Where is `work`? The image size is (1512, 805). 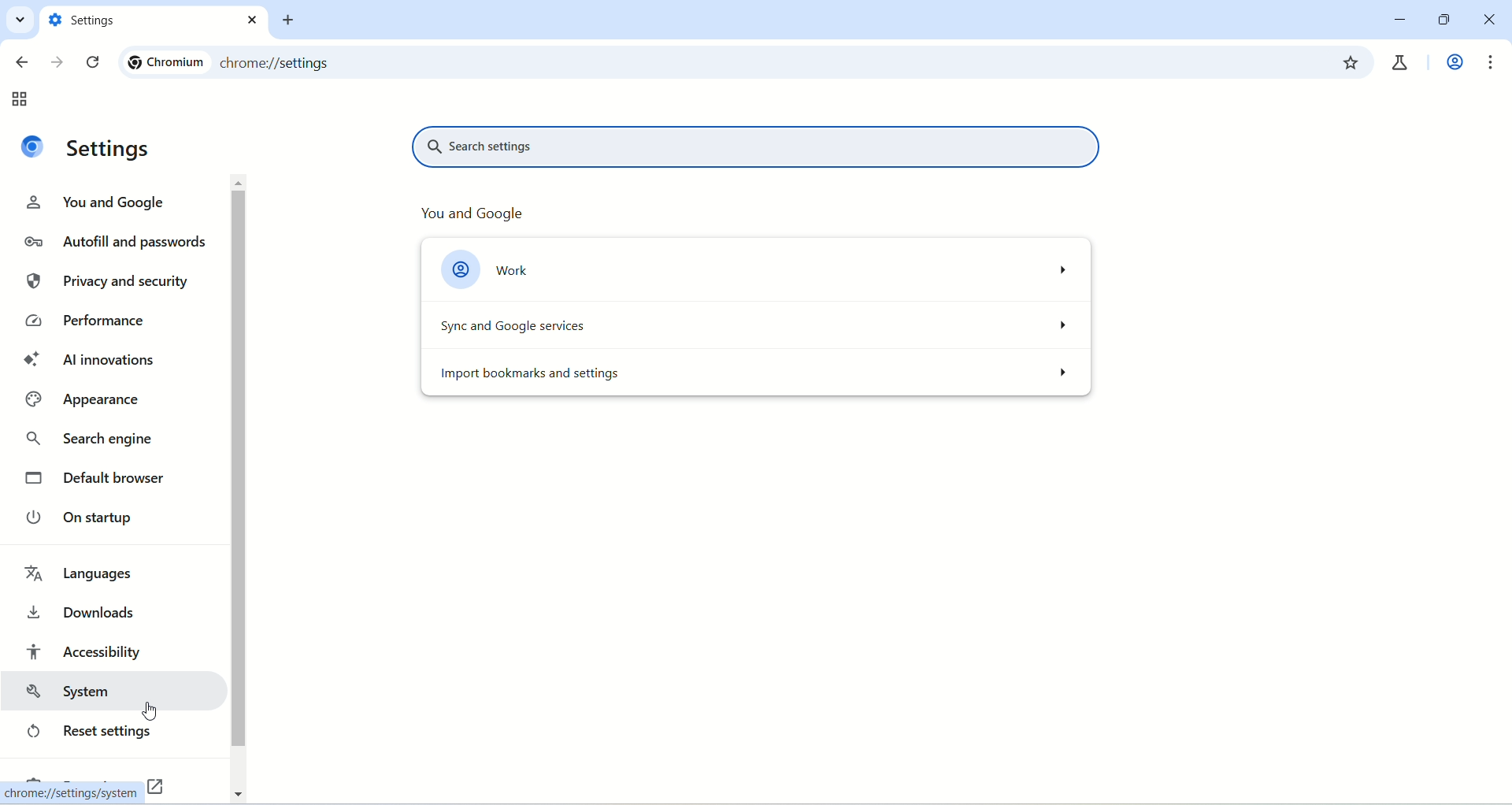 work is located at coordinates (1452, 64).